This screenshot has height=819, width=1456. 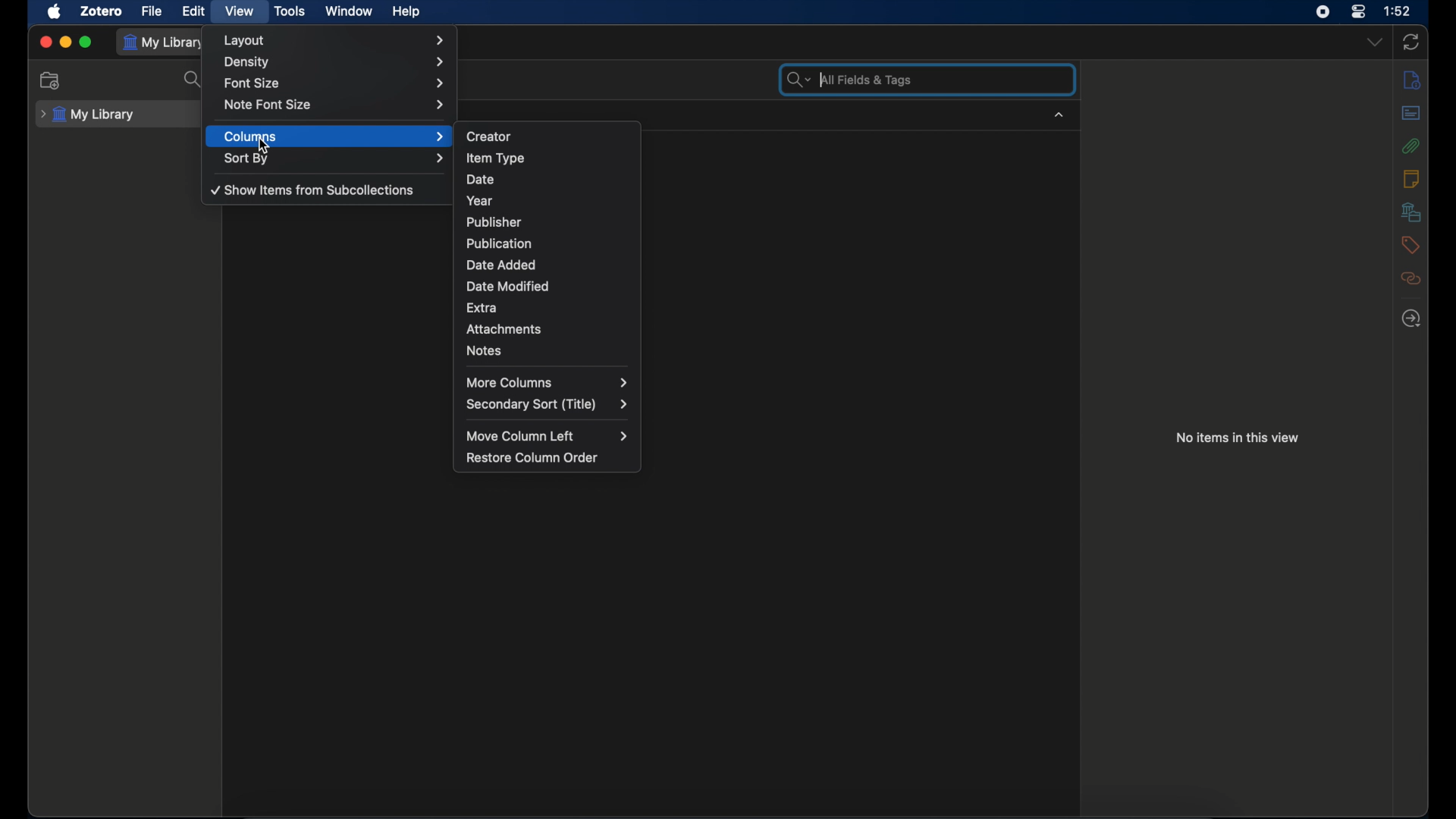 What do you see at coordinates (1410, 146) in the screenshot?
I see `attachments` at bounding box center [1410, 146].